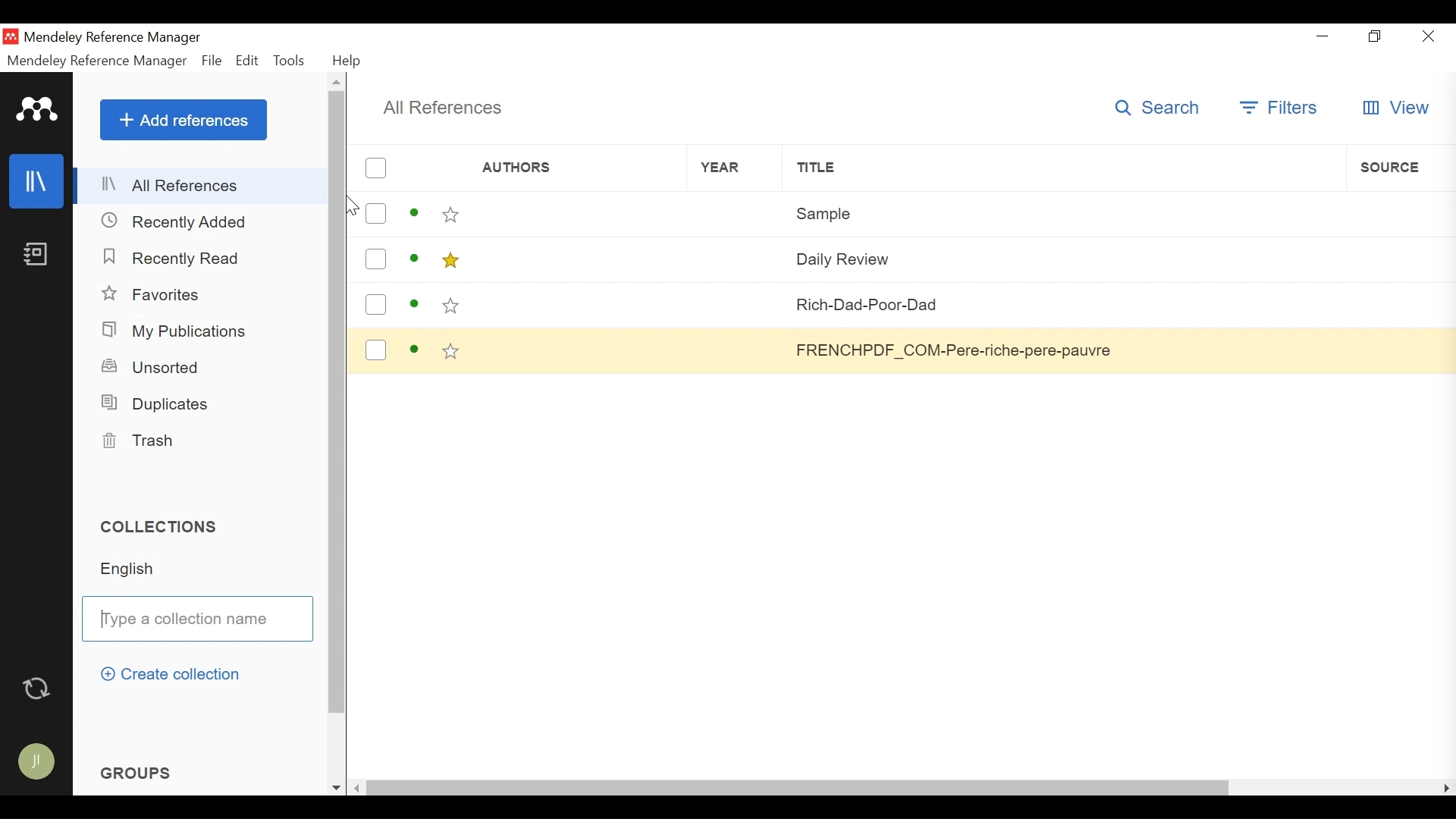 This screenshot has width=1456, height=819. What do you see at coordinates (1447, 787) in the screenshot?
I see `Scroll Right` at bounding box center [1447, 787].